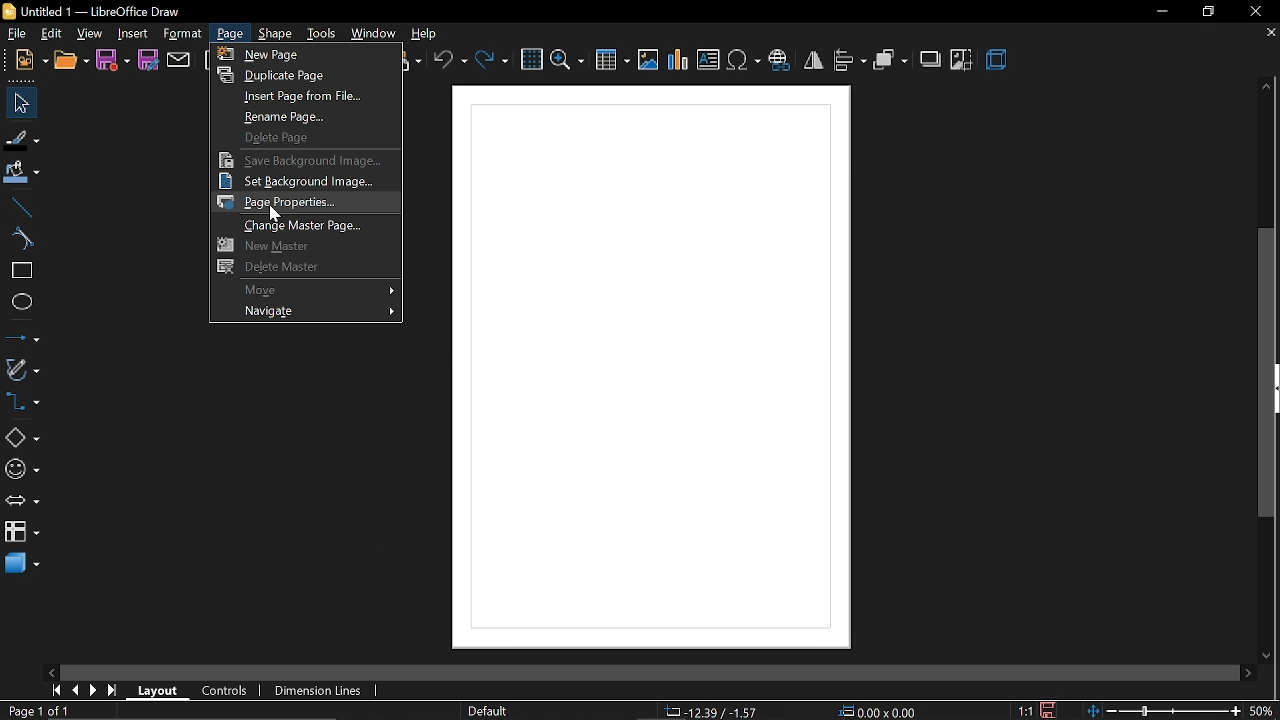 Image resolution: width=1280 pixels, height=720 pixels. I want to click on 3d effect, so click(998, 59).